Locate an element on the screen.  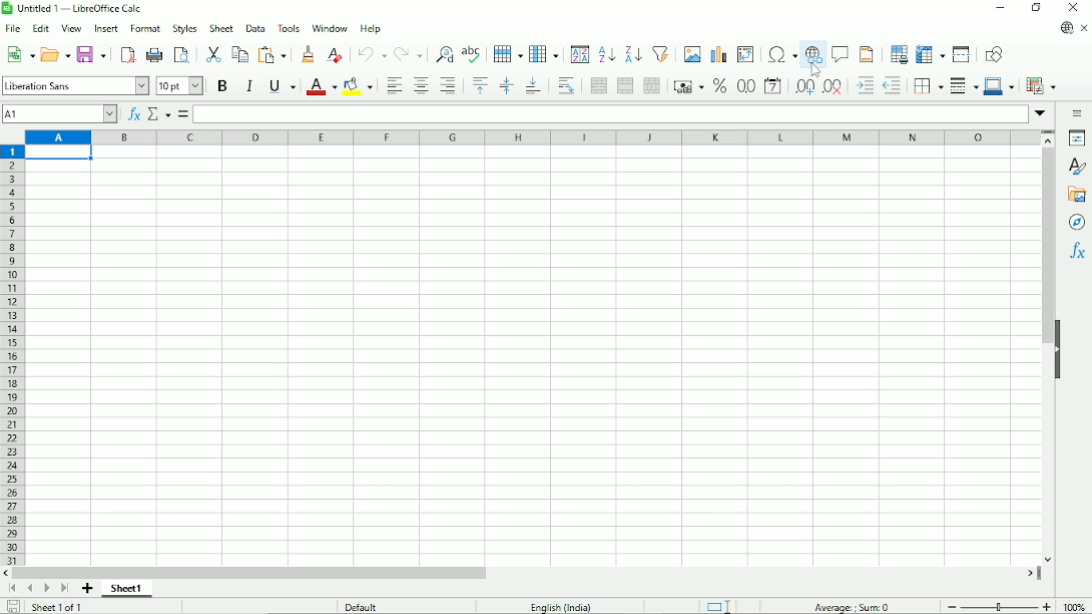
Format as number is located at coordinates (719, 86).